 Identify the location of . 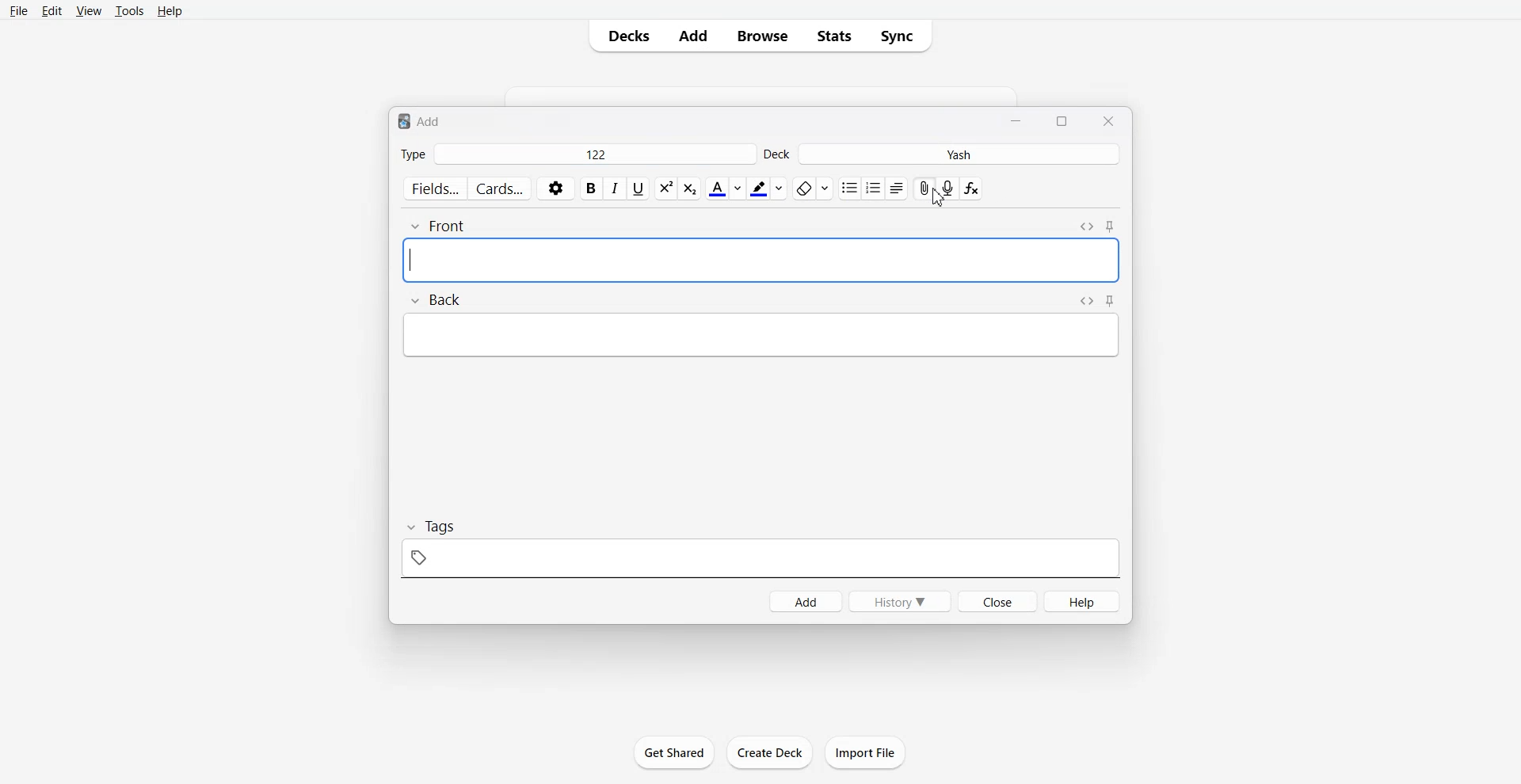
(936, 199).